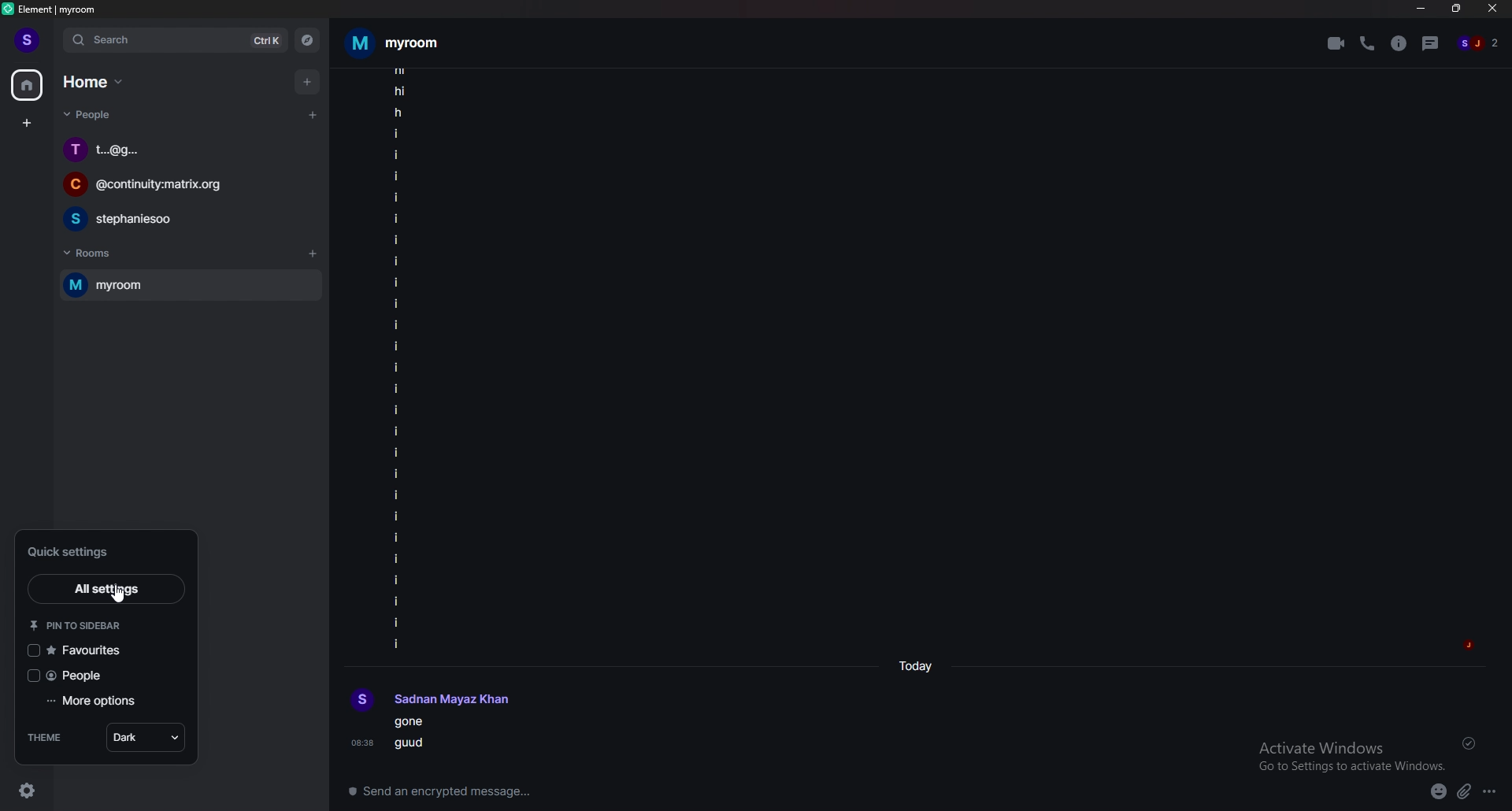 This screenshot has width=1512, height=811. What do you see at coordinates (80, 649) in the screenshot?
I see `favourites` at bounding box center [80, 649].